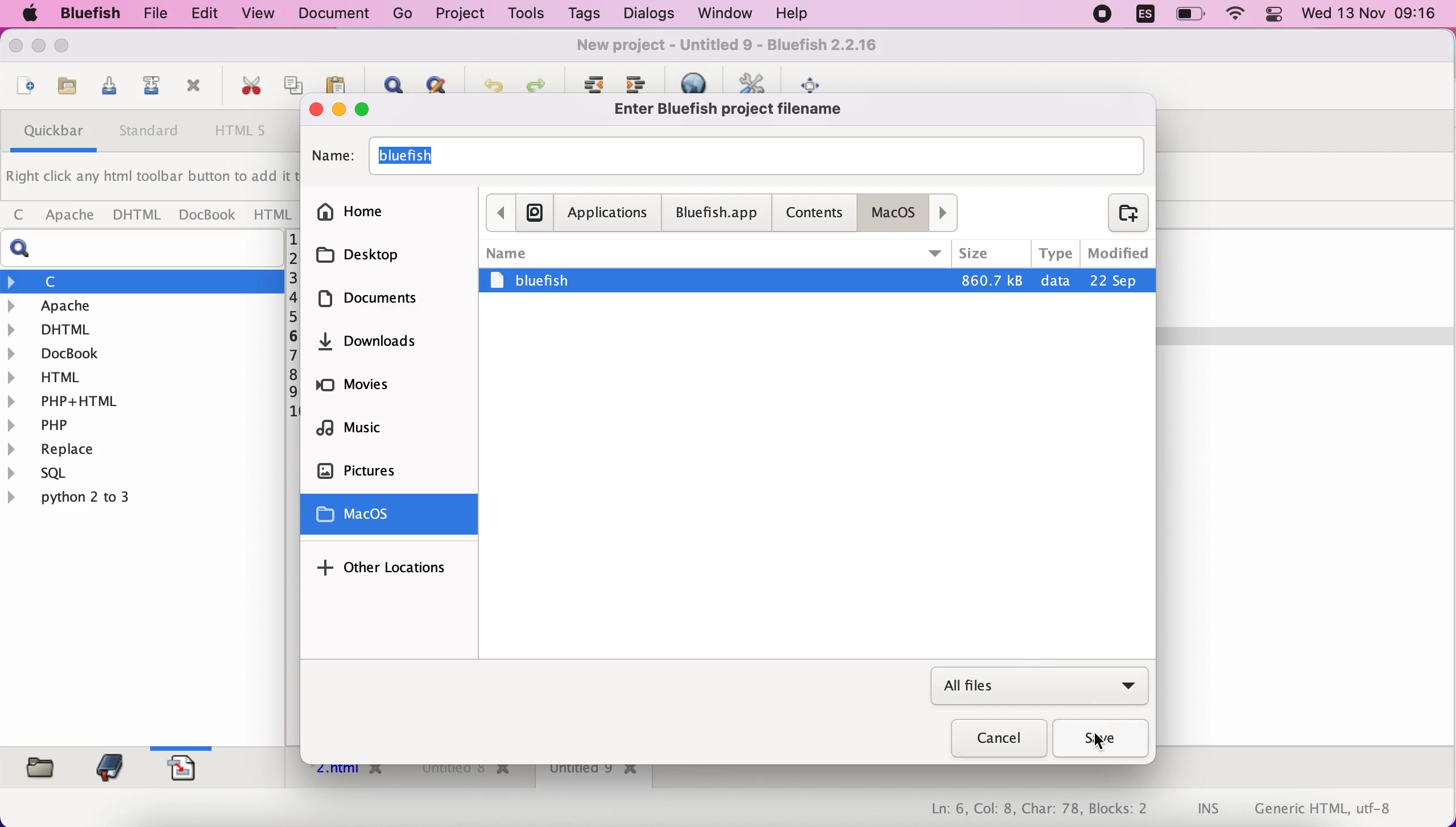 The width and height of the screenshot is (1456, 827). What do you see at coordinates (817, 281) in the screenshot?
I see `selected` at bounding box center [817, 281].